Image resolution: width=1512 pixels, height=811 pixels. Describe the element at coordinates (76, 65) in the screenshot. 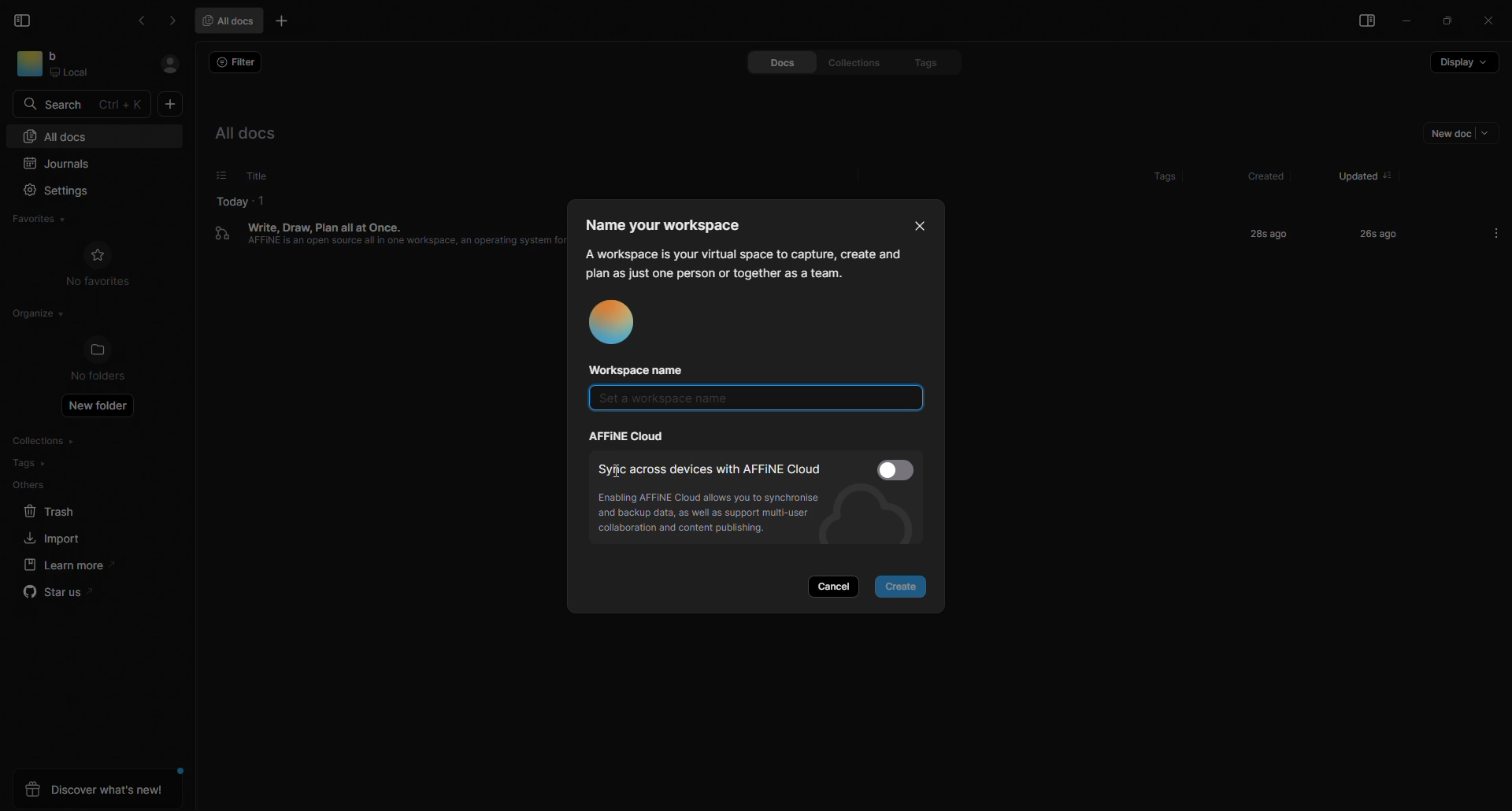

I see `local workspace` at that location.